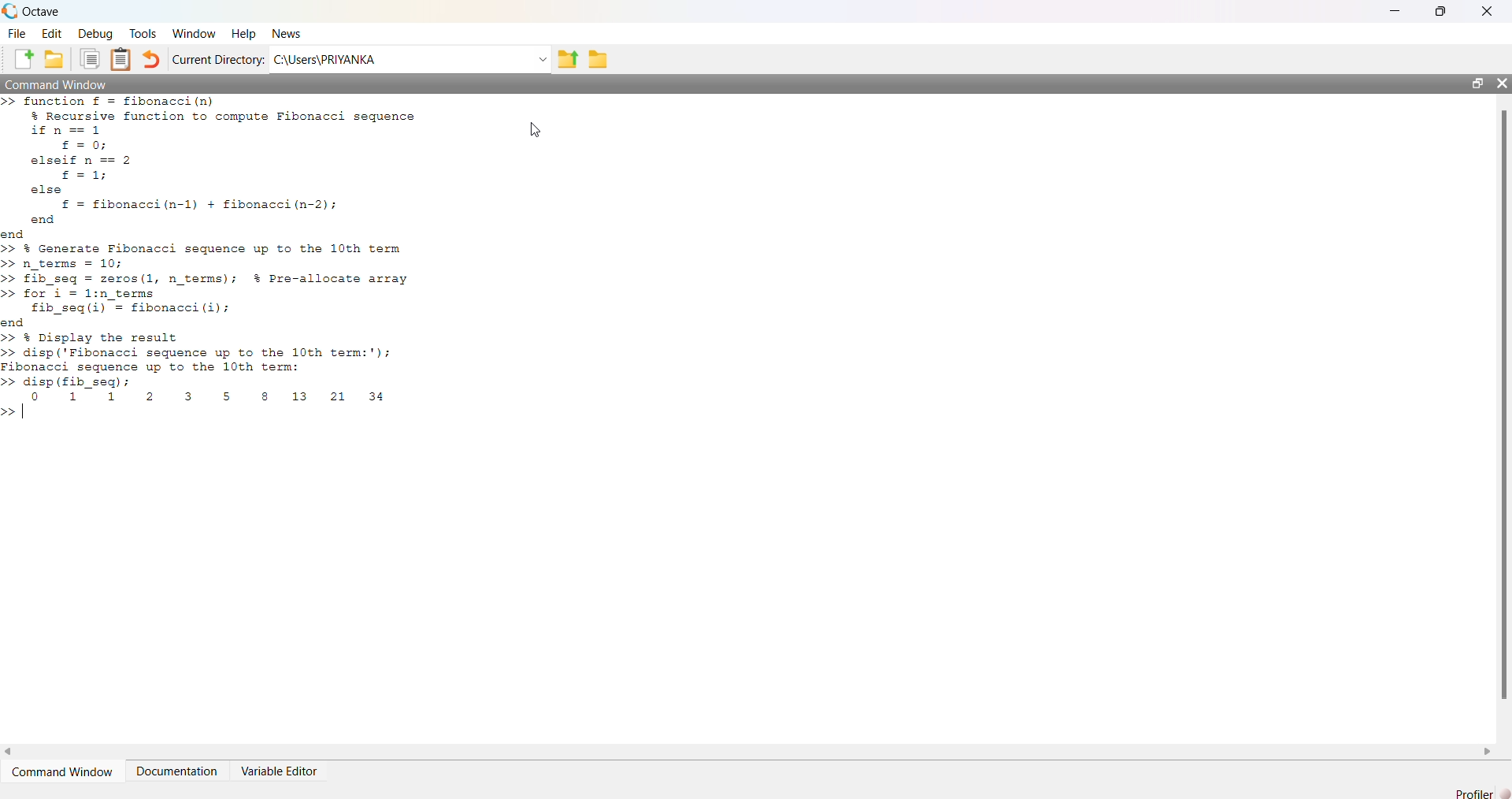  What do you see at coordinates (542, 59) in the screenshot?
I see `dropdown` at bounding box center [542, 59].